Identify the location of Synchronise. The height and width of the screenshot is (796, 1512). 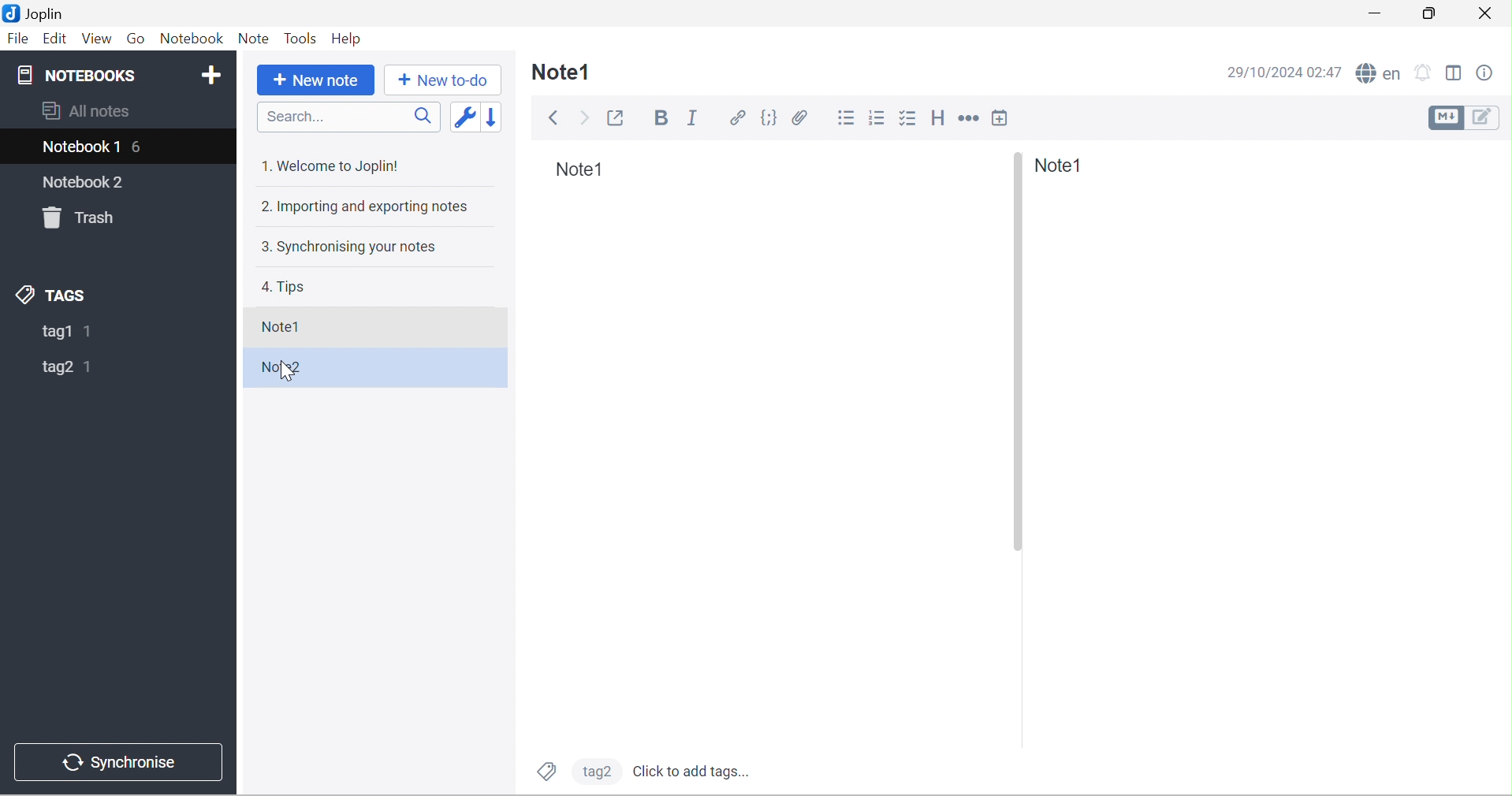
(117, 763).